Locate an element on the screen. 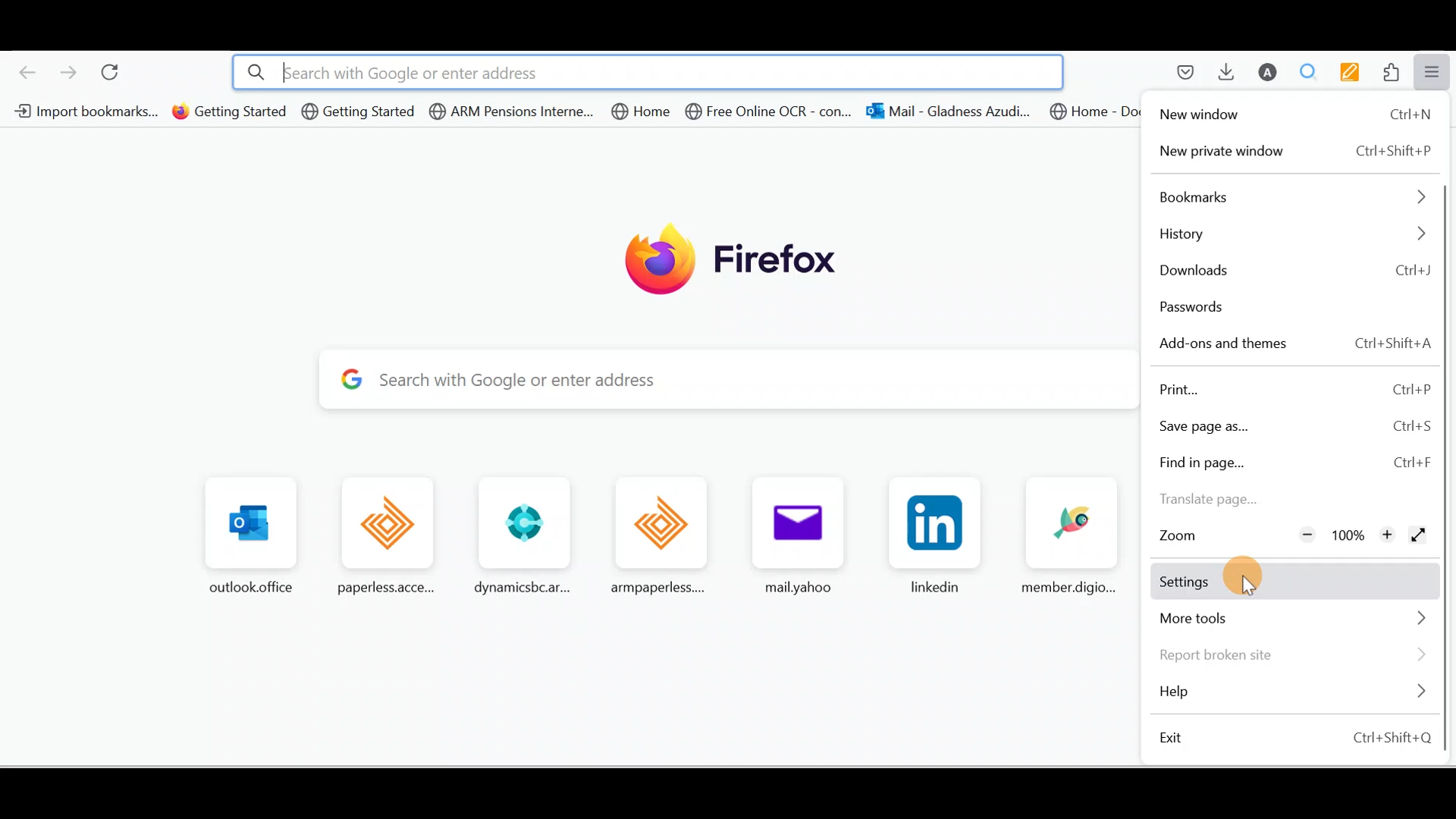 Image resolution: width=1456 pixels, height=819 pixels. Translate page is located at coordinates (1213, 503).